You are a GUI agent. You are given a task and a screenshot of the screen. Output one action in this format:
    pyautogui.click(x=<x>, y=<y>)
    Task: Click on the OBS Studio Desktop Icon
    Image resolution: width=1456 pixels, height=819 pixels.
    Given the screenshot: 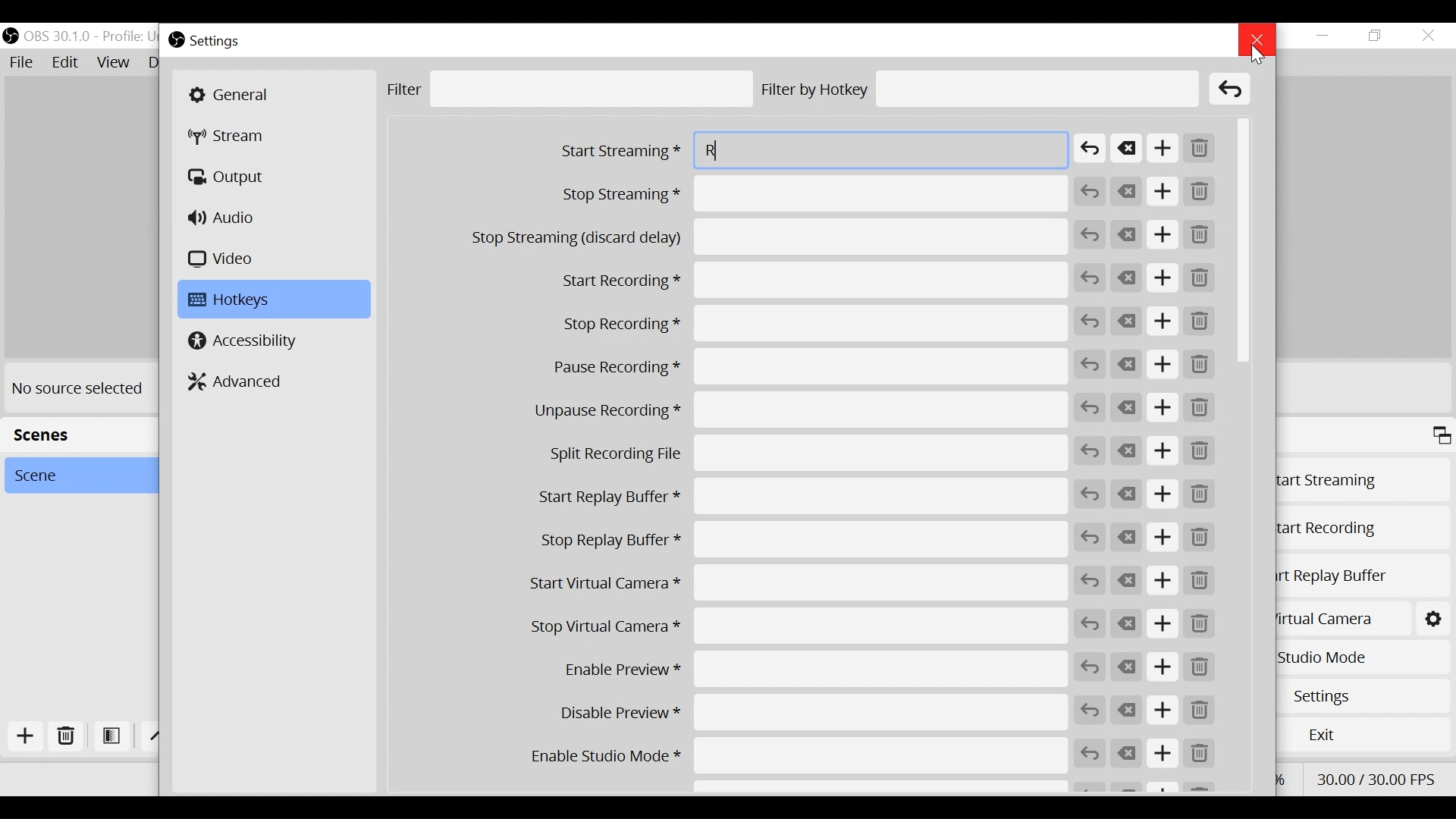 What is the action you would take?
    pyautogui.click(x=11, y=36)
    